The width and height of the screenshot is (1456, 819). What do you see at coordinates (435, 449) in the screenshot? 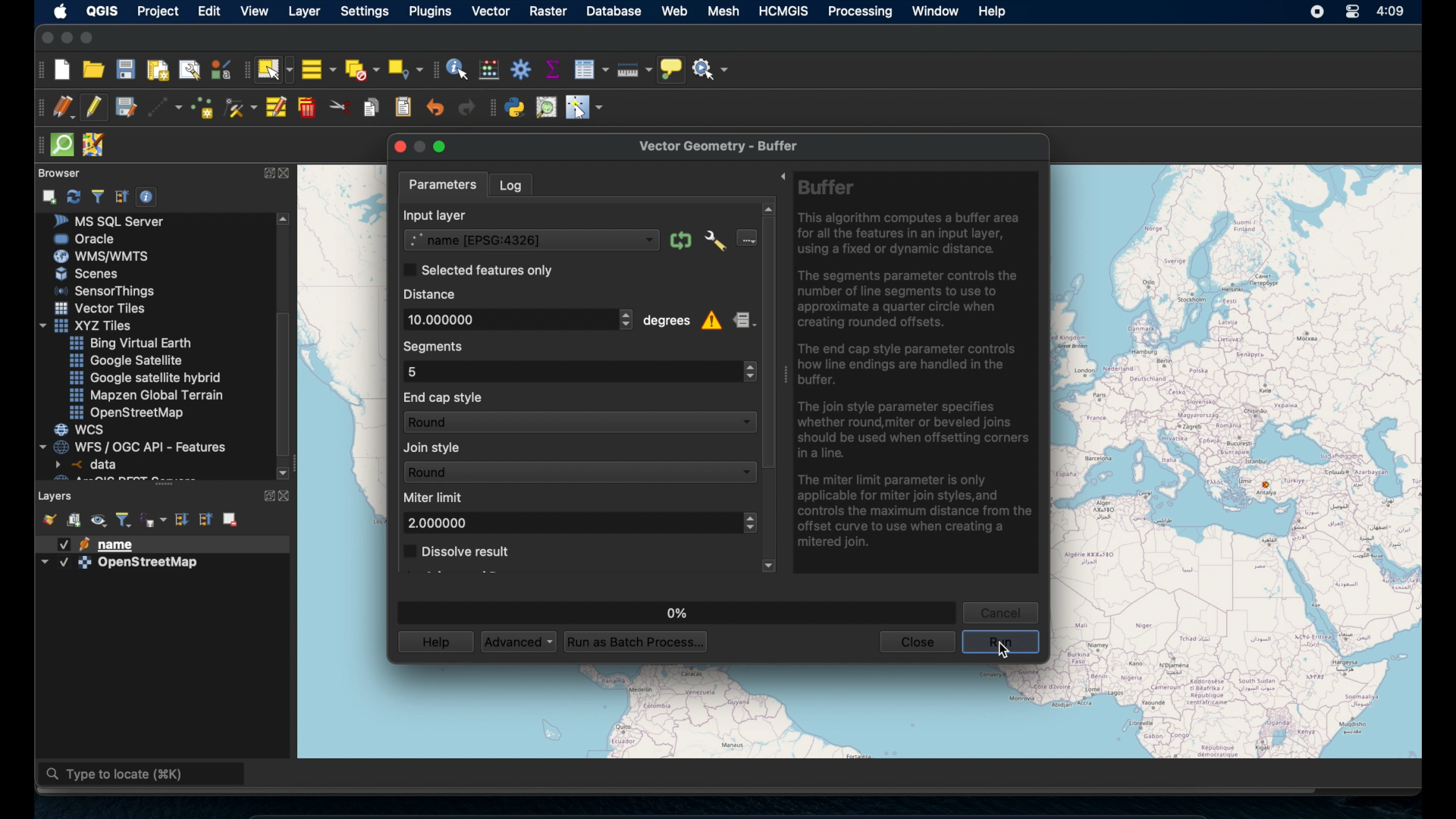
I see `join style` at bounding box center [435, 449].